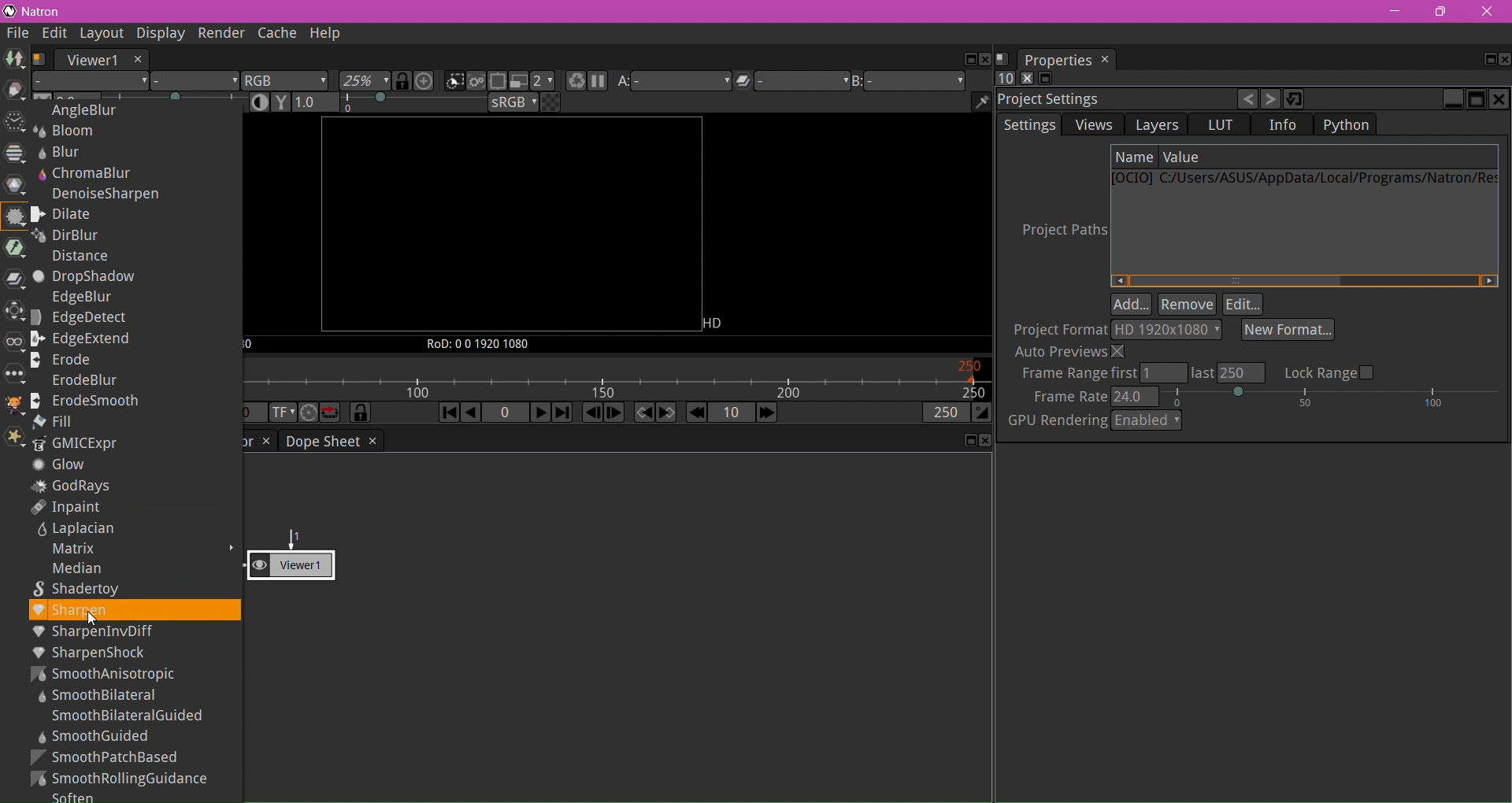 Image resolution: width=1512 pixels, height=803 pixels. Describe the element at coordinates (265, 442) in the screenshot. I see `Close Tab` at that location.